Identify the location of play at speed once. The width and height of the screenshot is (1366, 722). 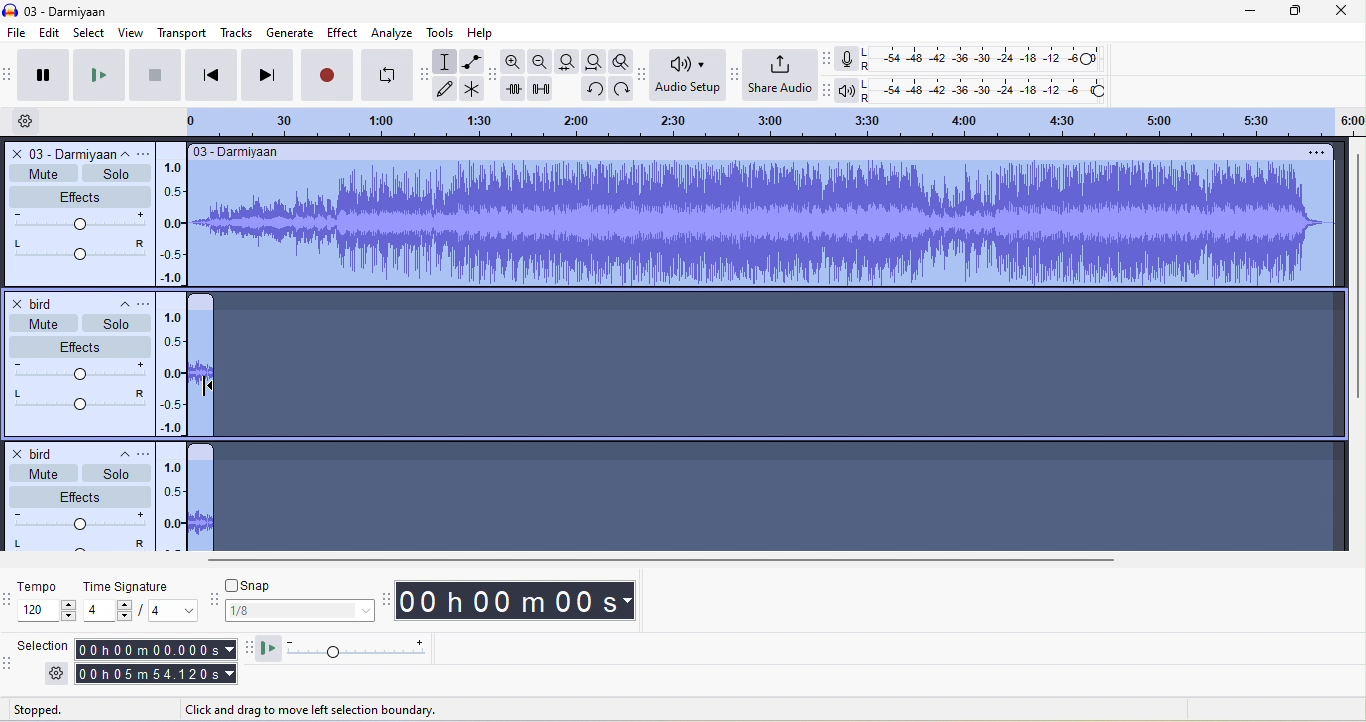
(270, 650).